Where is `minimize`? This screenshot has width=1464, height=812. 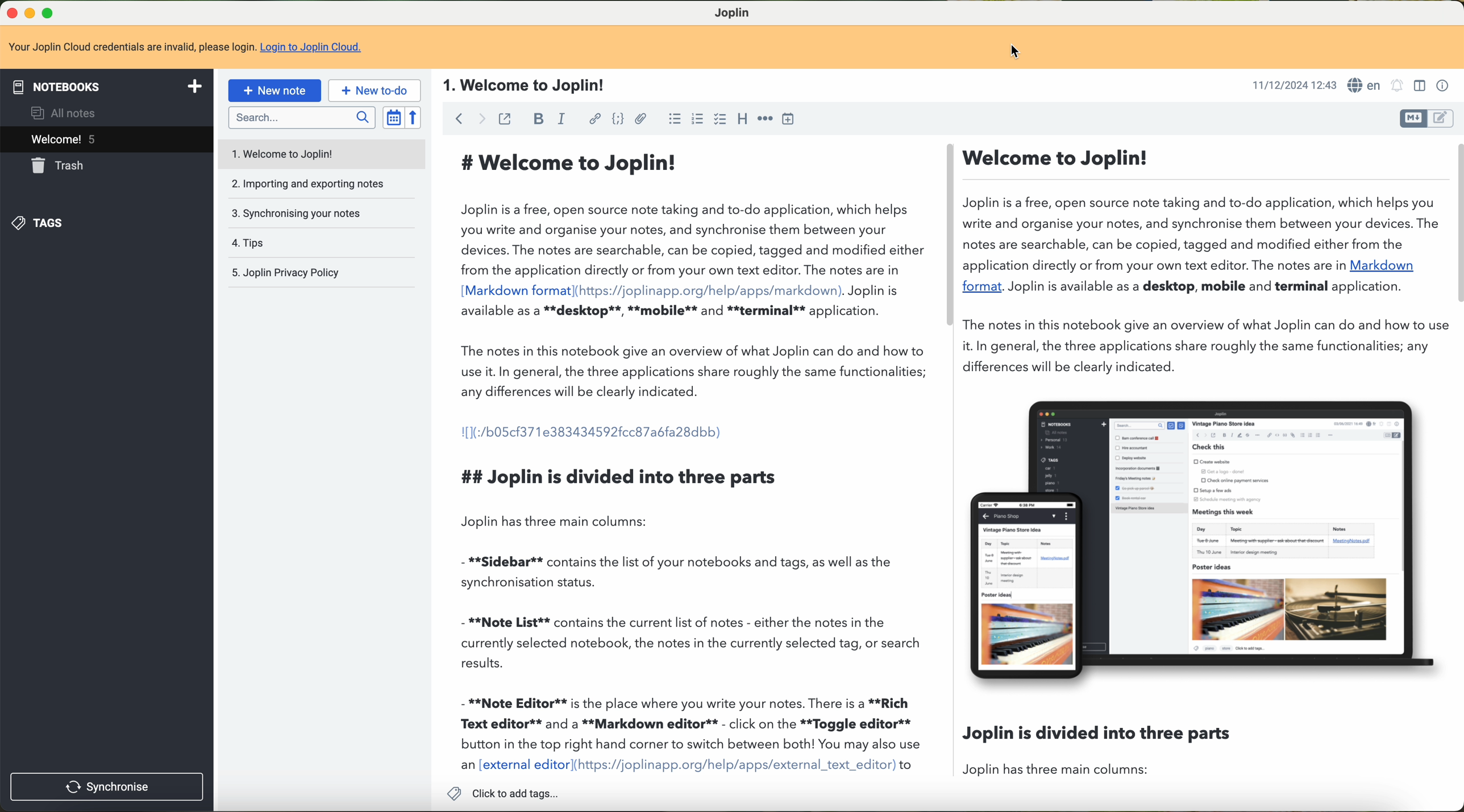 minimize is located at coordinates (30, 14).